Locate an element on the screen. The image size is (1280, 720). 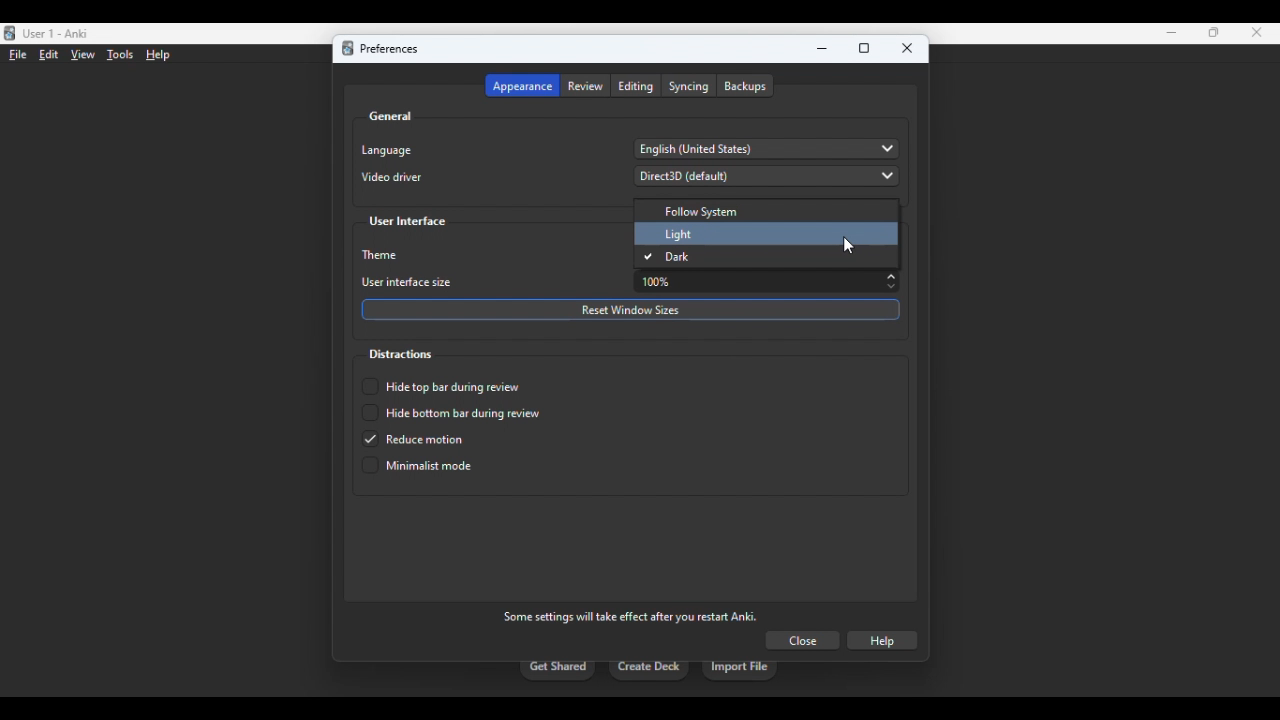
Use 1 - Anki is located at coordinates (55, 34).